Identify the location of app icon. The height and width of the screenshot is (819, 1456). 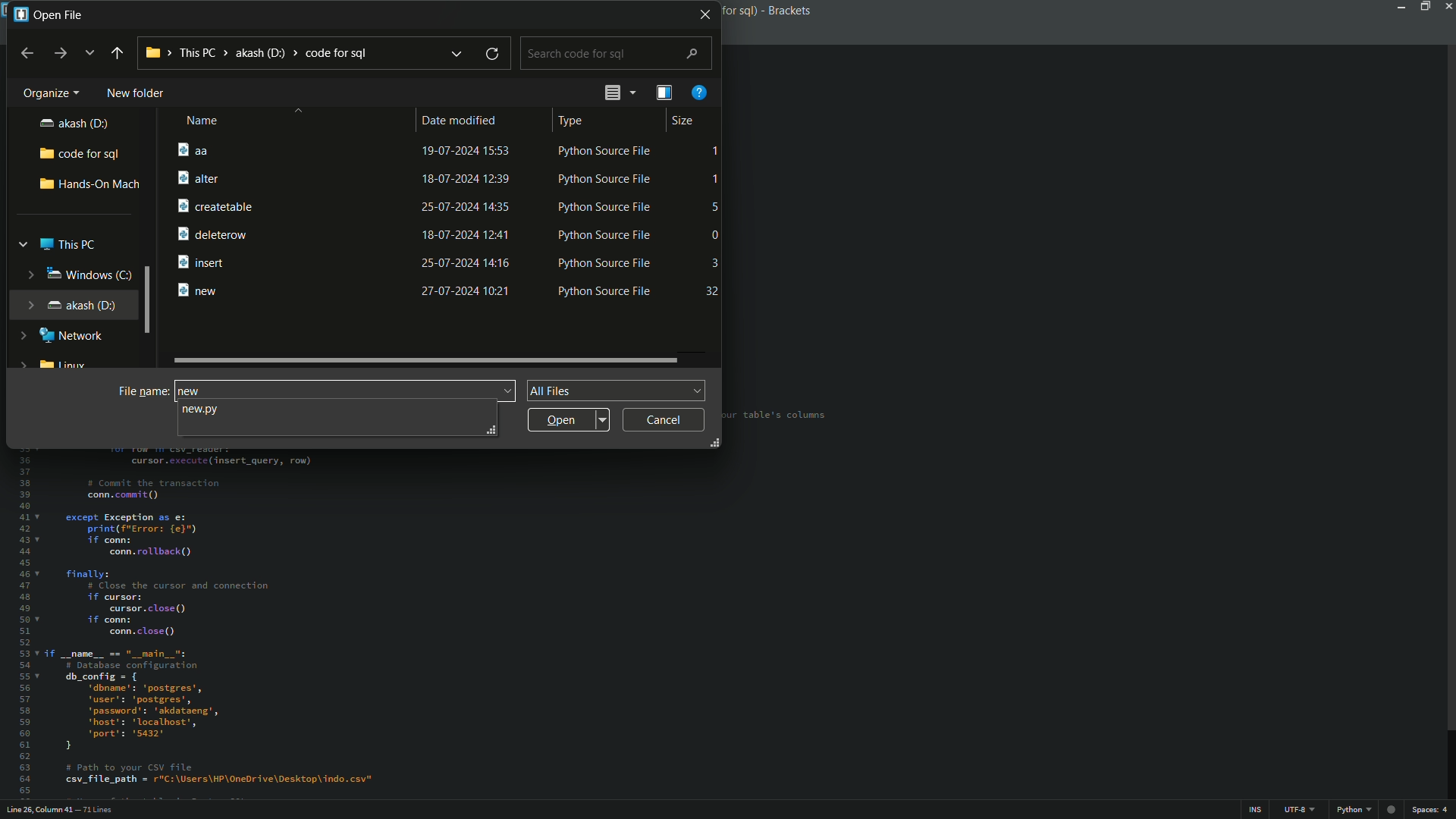
(19, 16).